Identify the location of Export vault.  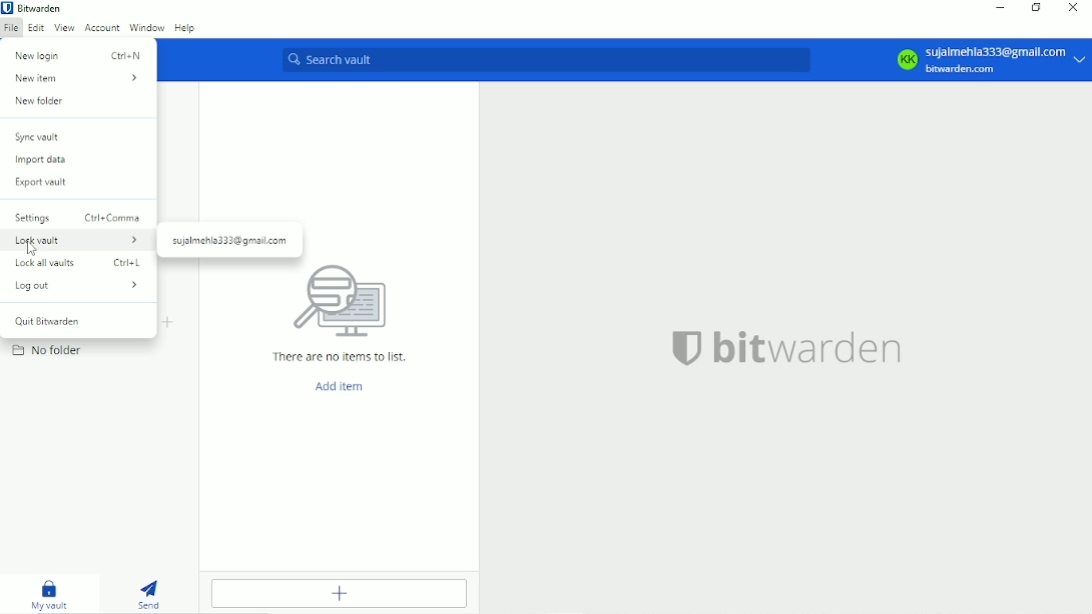
(42, 183).